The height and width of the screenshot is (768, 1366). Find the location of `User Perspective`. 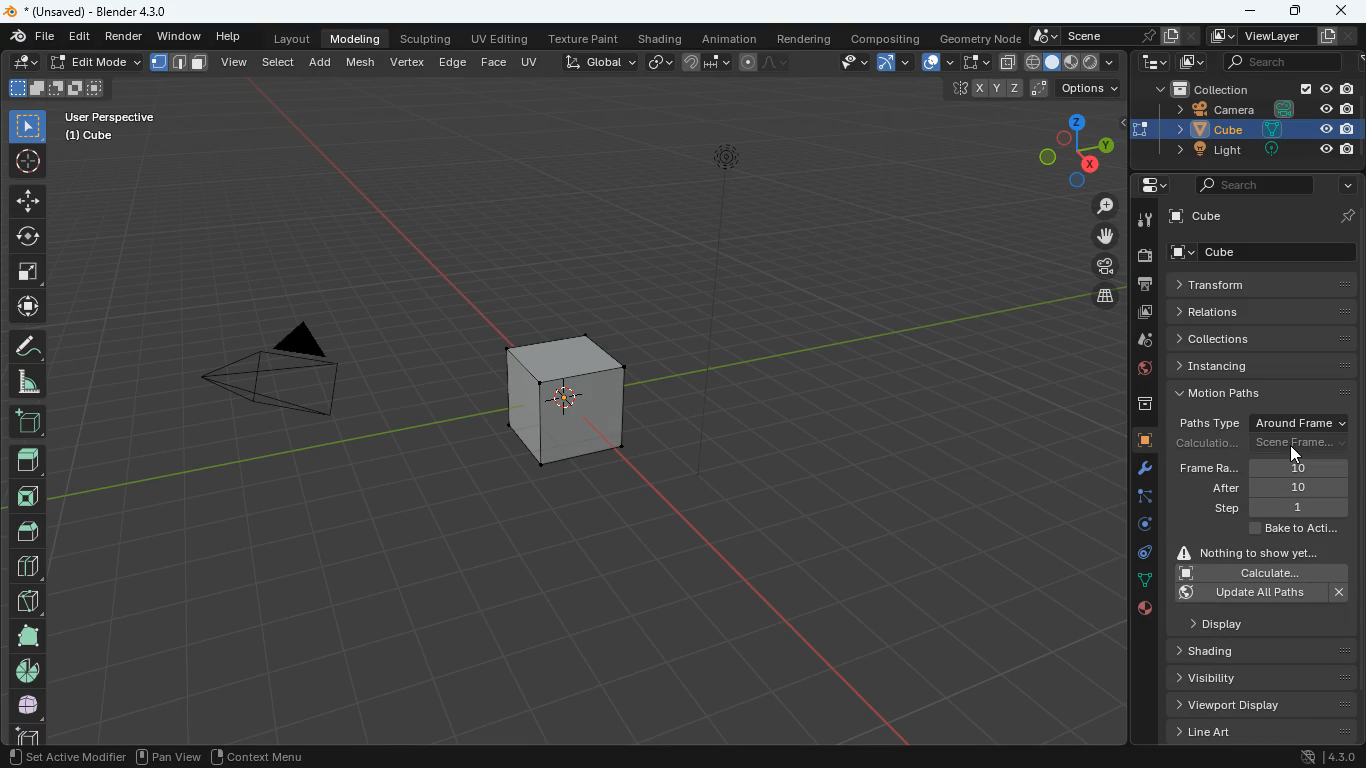

User Perspective is located at coordinates (110, 114).